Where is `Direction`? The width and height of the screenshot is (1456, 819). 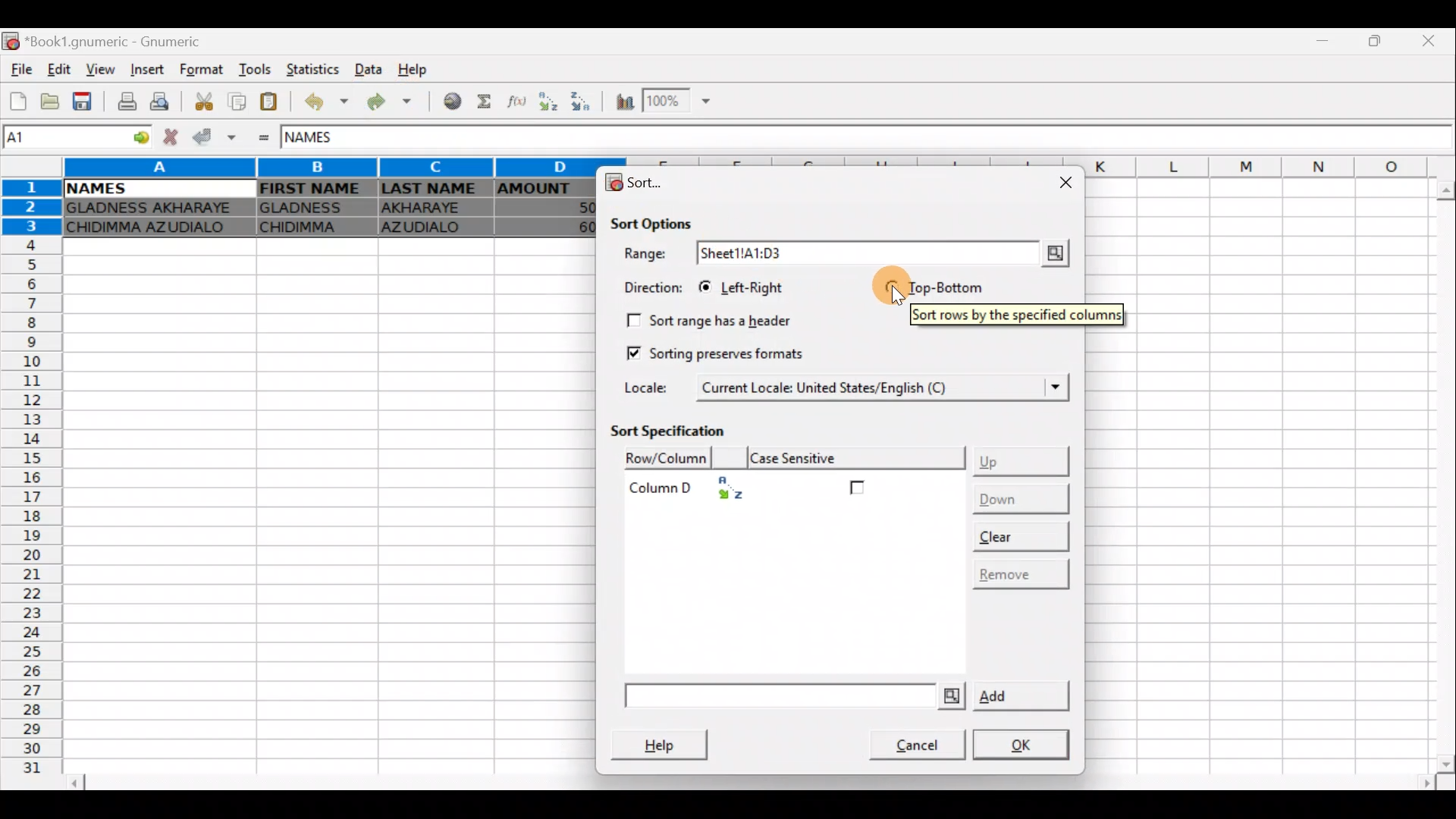 Direction is located at coordinates (648, 286).